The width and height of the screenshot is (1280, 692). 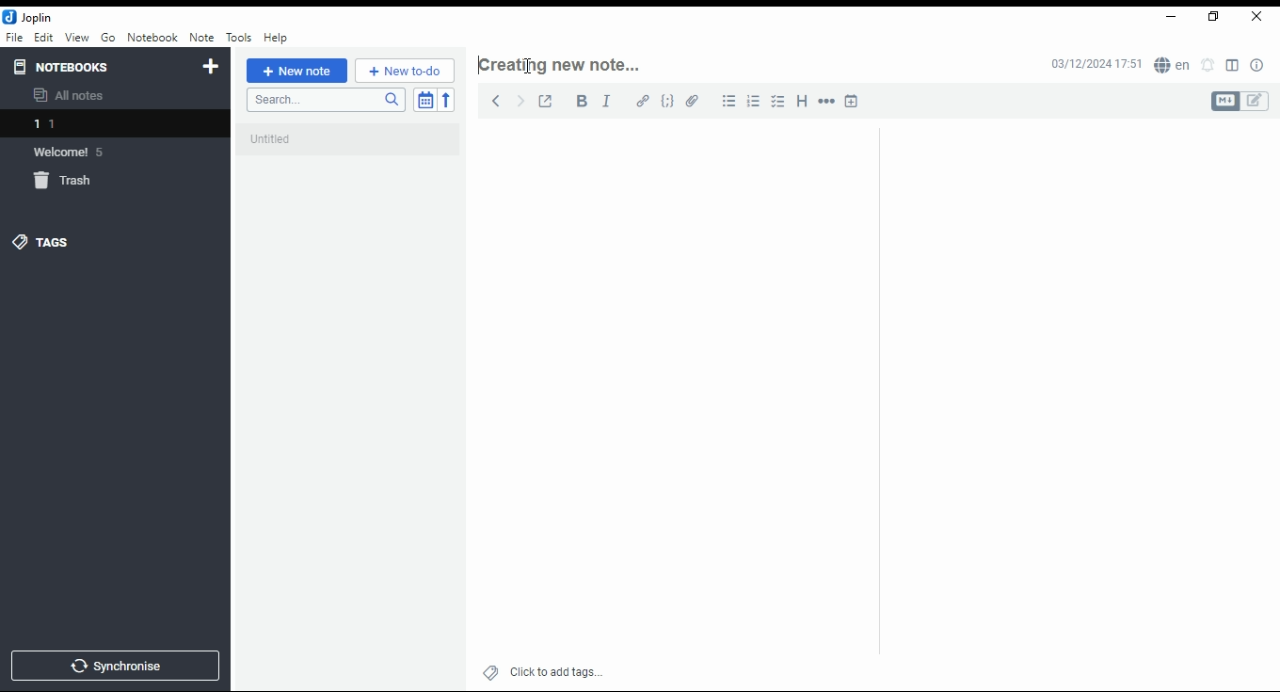 I want to click on forward, so click(x=519, y=98).